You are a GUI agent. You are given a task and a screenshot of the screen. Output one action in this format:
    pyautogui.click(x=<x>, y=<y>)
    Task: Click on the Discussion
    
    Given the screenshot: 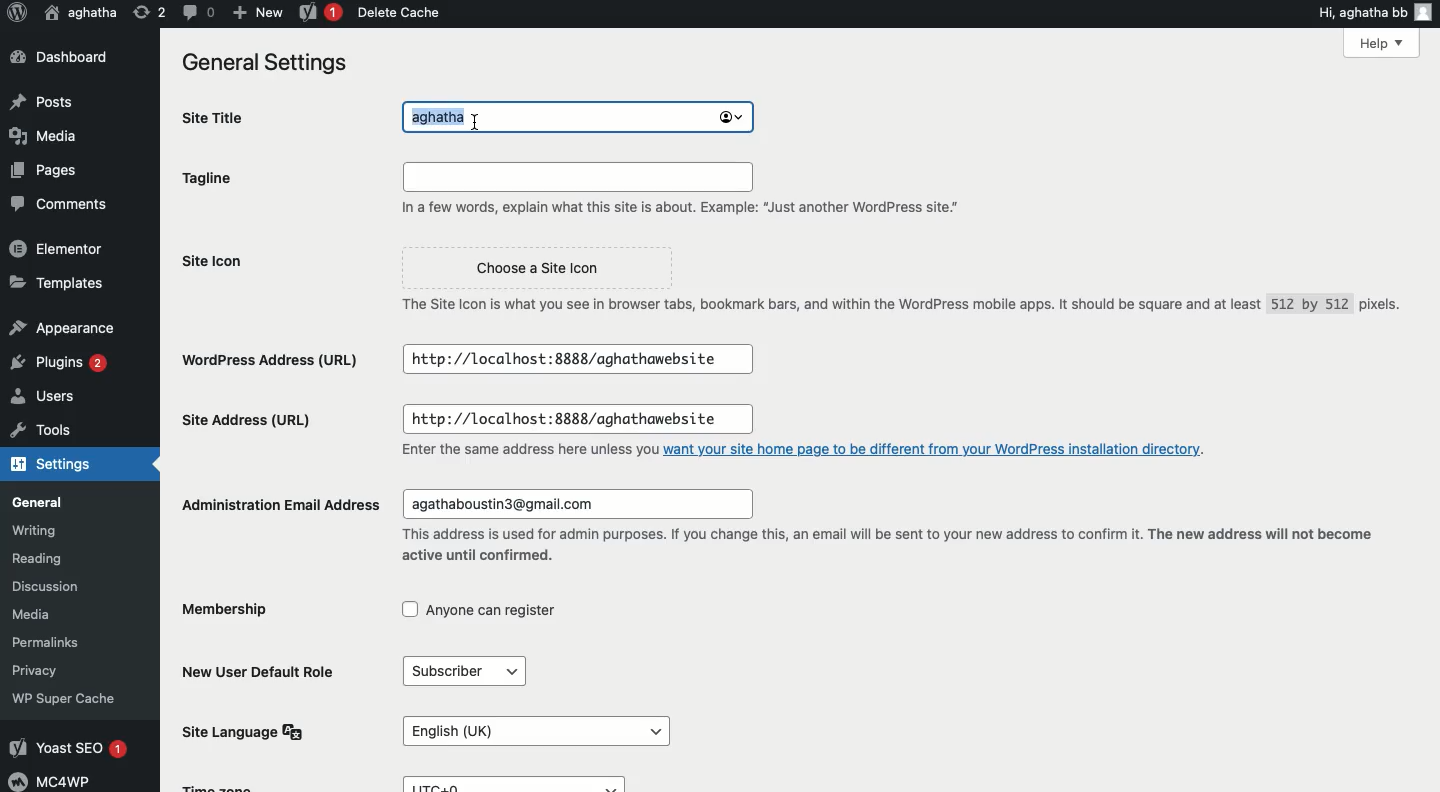 What is the action you would take?
    pyautogui.click(x=47, y=584)
    